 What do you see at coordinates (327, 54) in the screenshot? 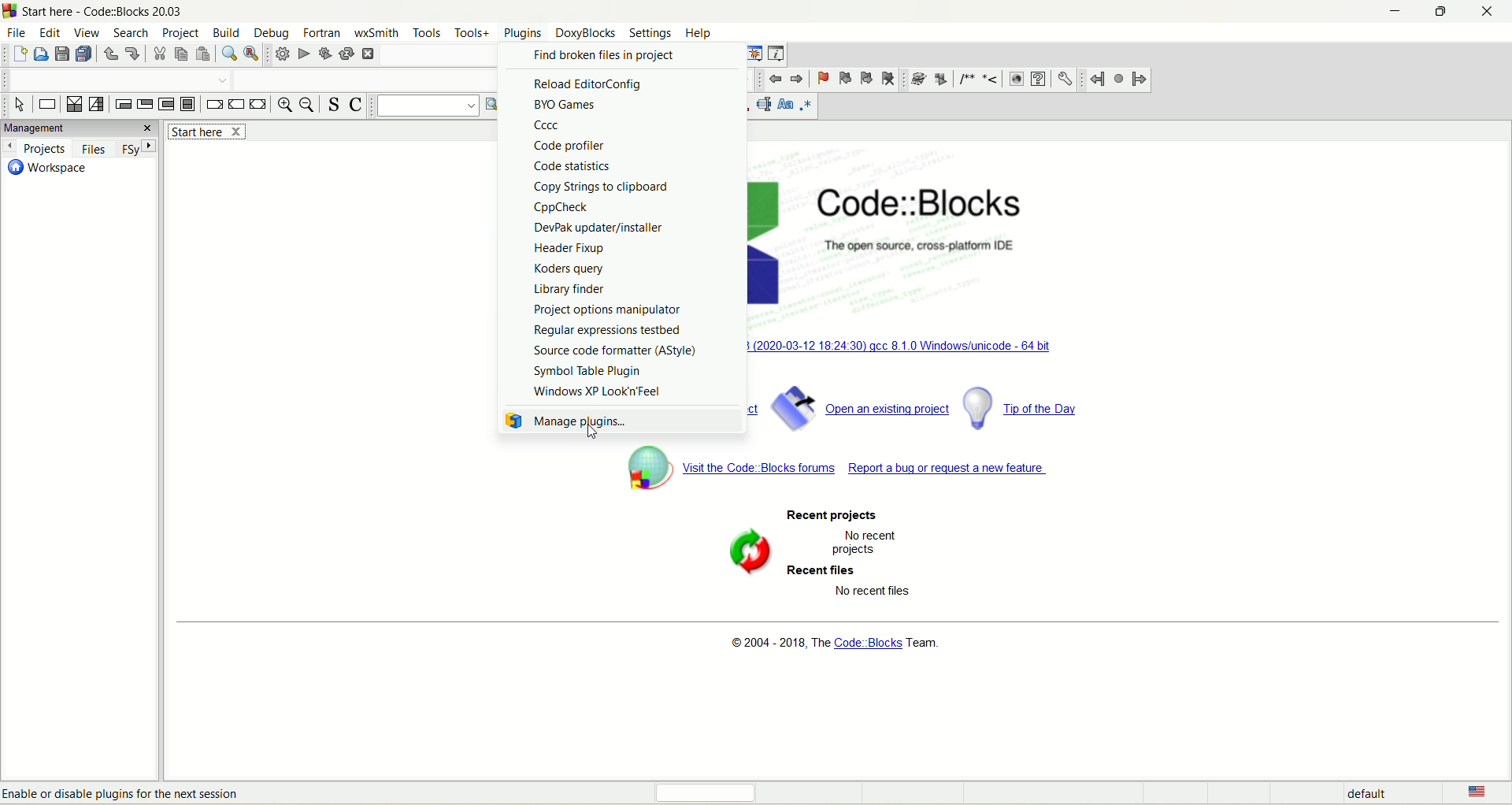
I see `build and run` at bounding box center [327, 54].